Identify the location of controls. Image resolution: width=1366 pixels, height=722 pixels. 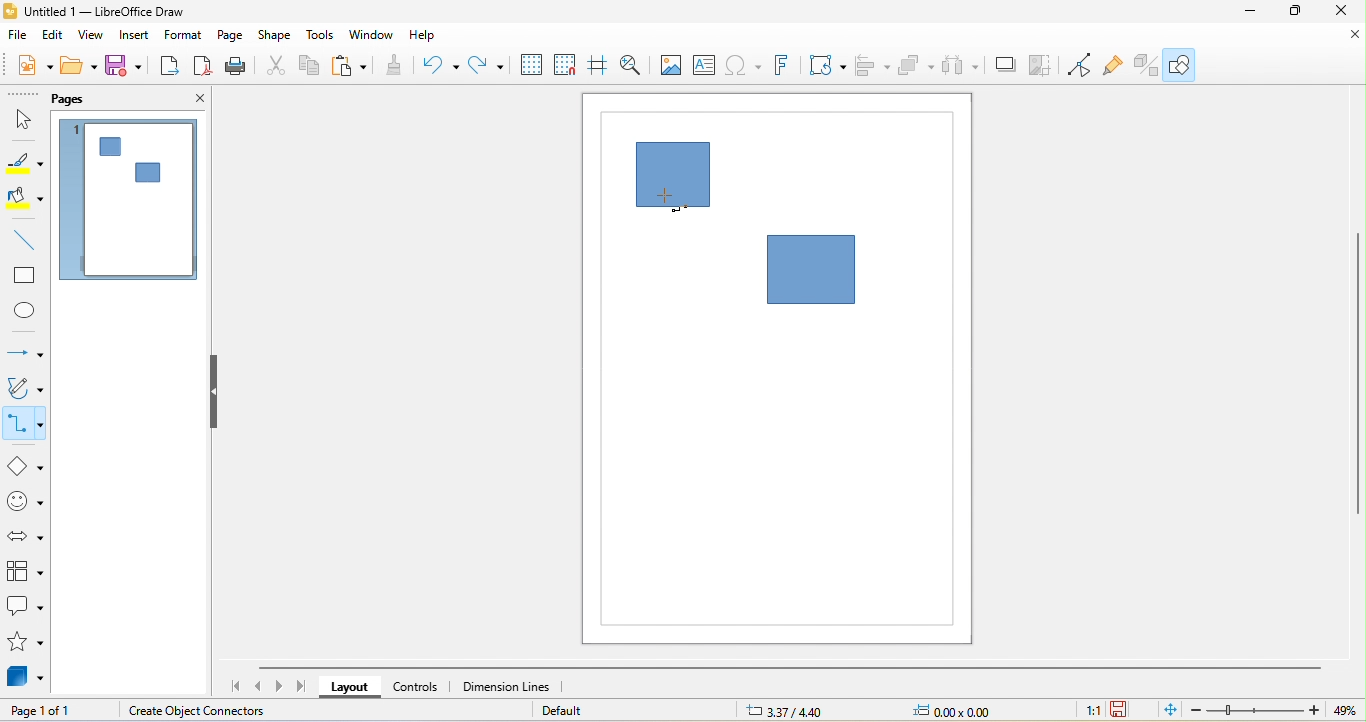
(417, 689).